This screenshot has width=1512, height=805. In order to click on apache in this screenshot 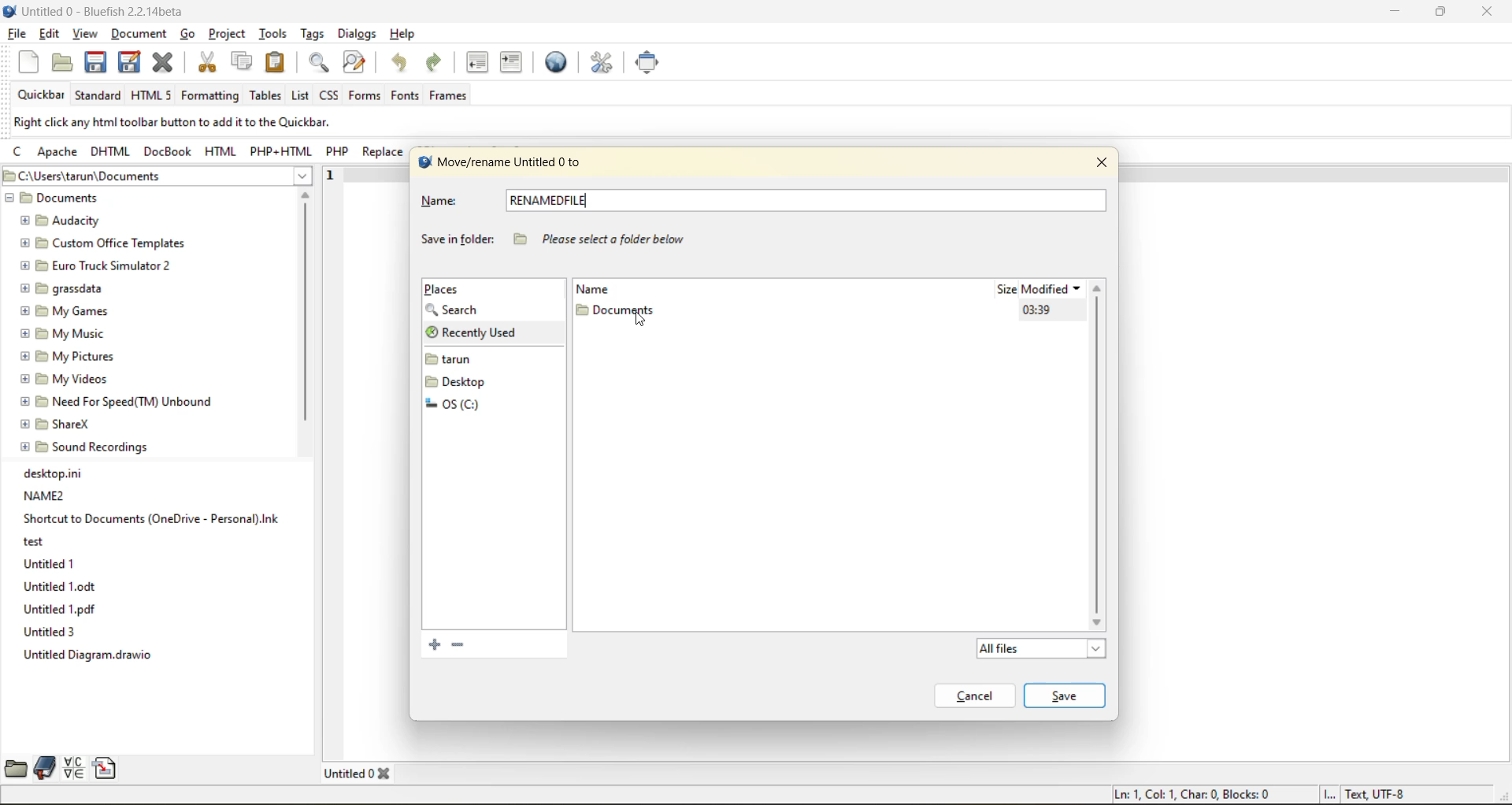, I will do `click(61, 153)`.